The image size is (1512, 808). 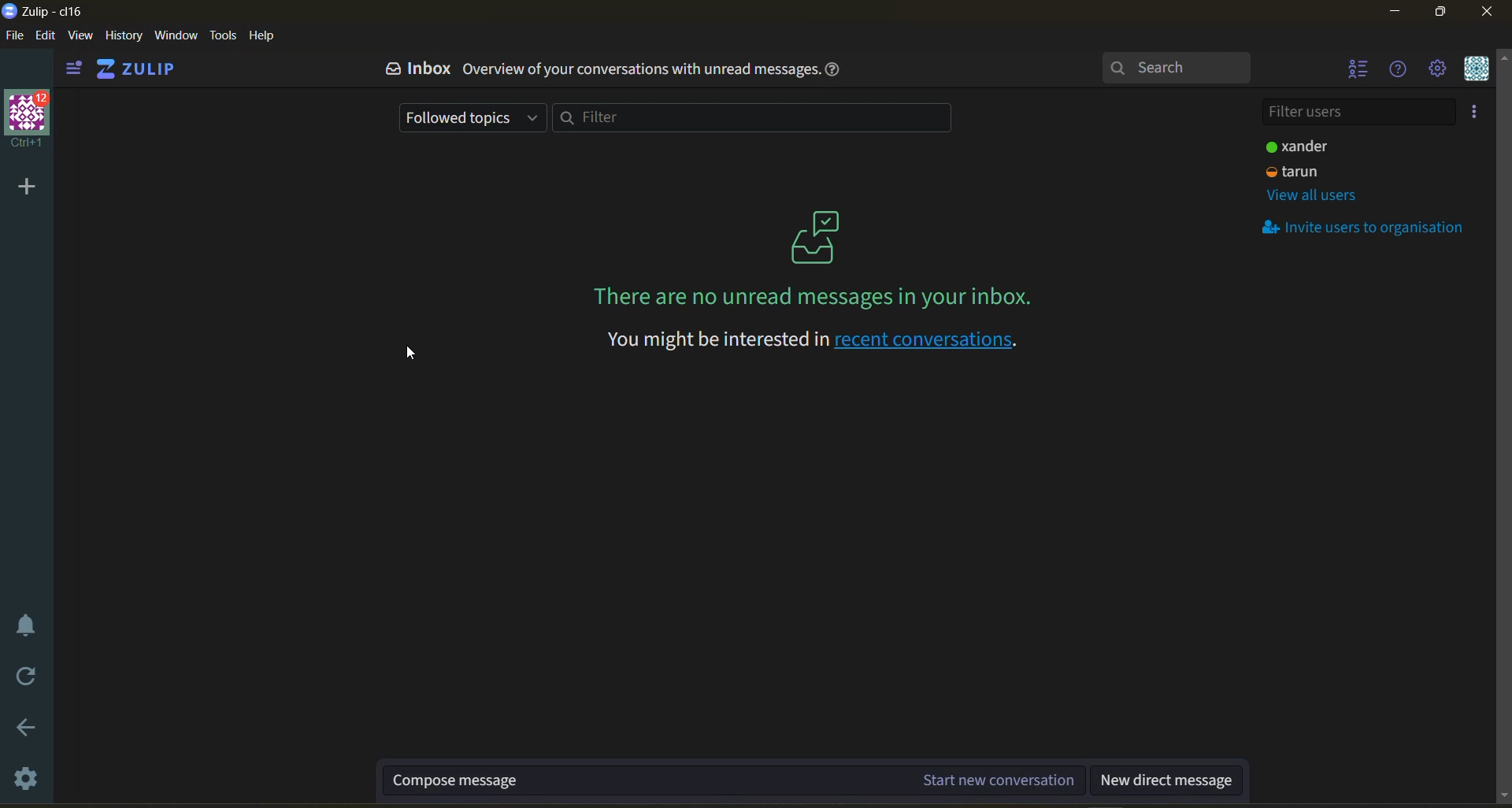 I want to click on organisation profile and name, so click(x=30, y=120).